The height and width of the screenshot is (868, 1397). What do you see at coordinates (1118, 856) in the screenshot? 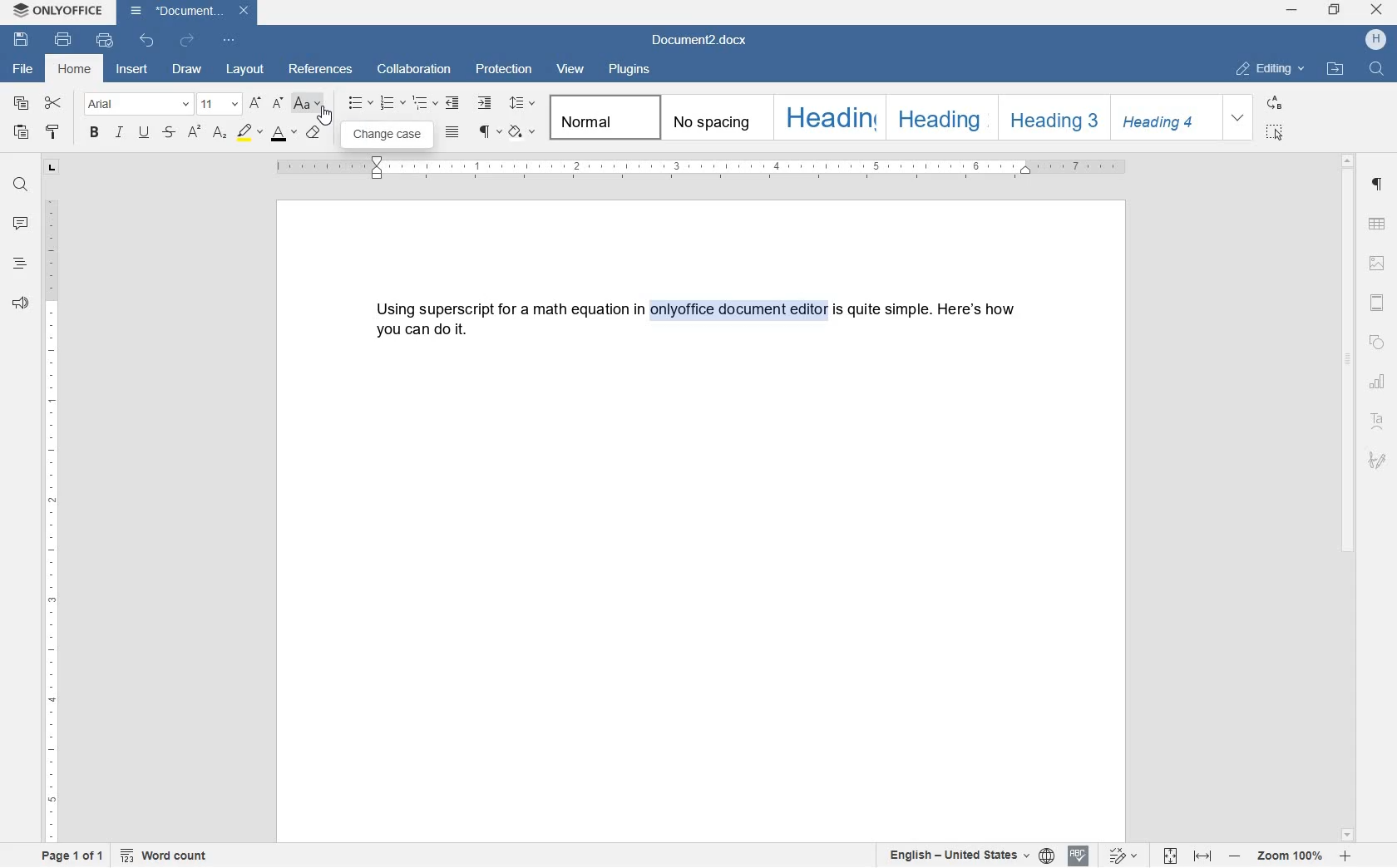
I see `track changes` at bounding box center [1118, 856].